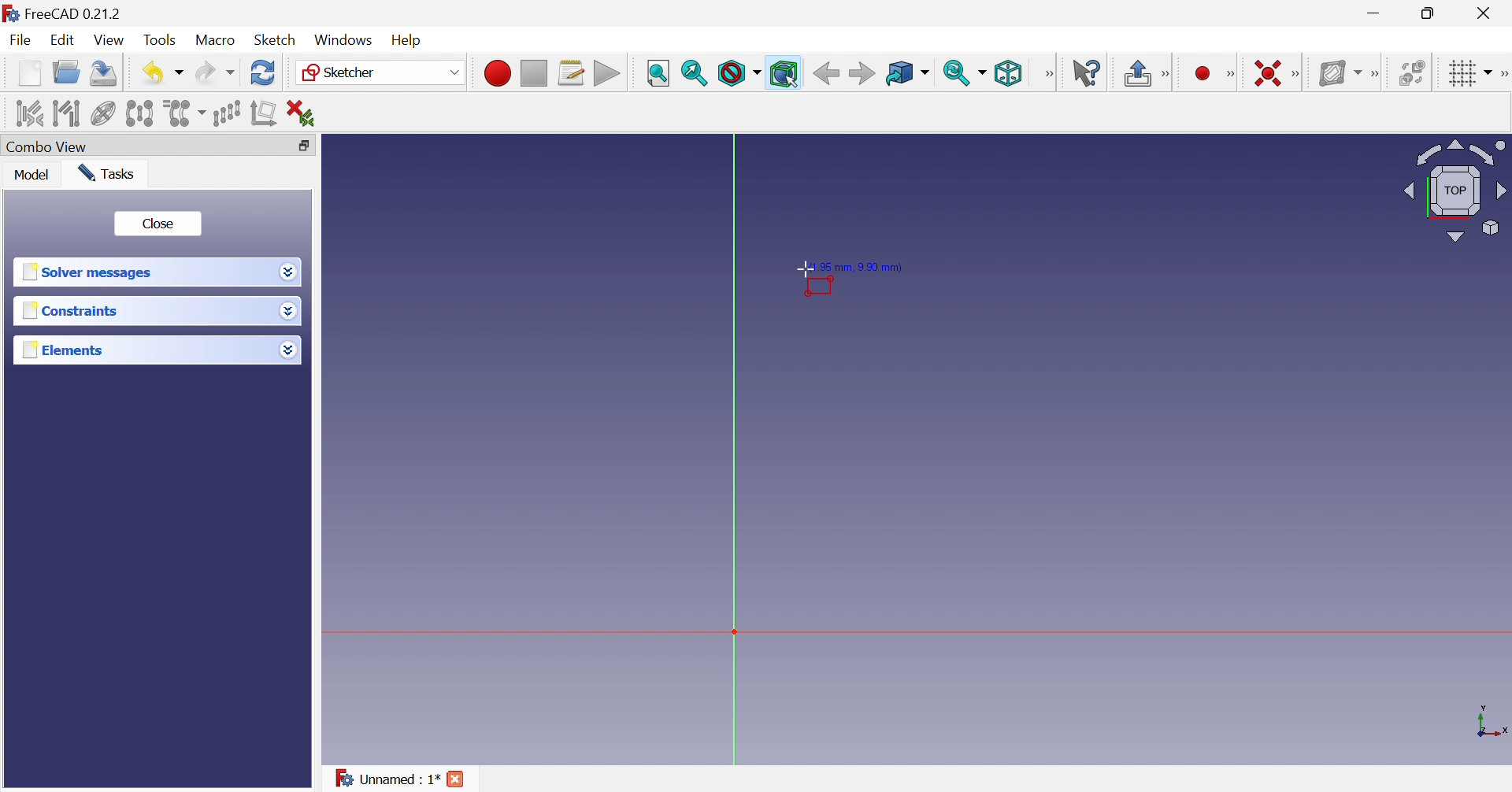 The image size is (1512, 792). Describe the element at coordinates (1503, 73) in the screenshot. I see `[Sketcher edit tools]` at that location.